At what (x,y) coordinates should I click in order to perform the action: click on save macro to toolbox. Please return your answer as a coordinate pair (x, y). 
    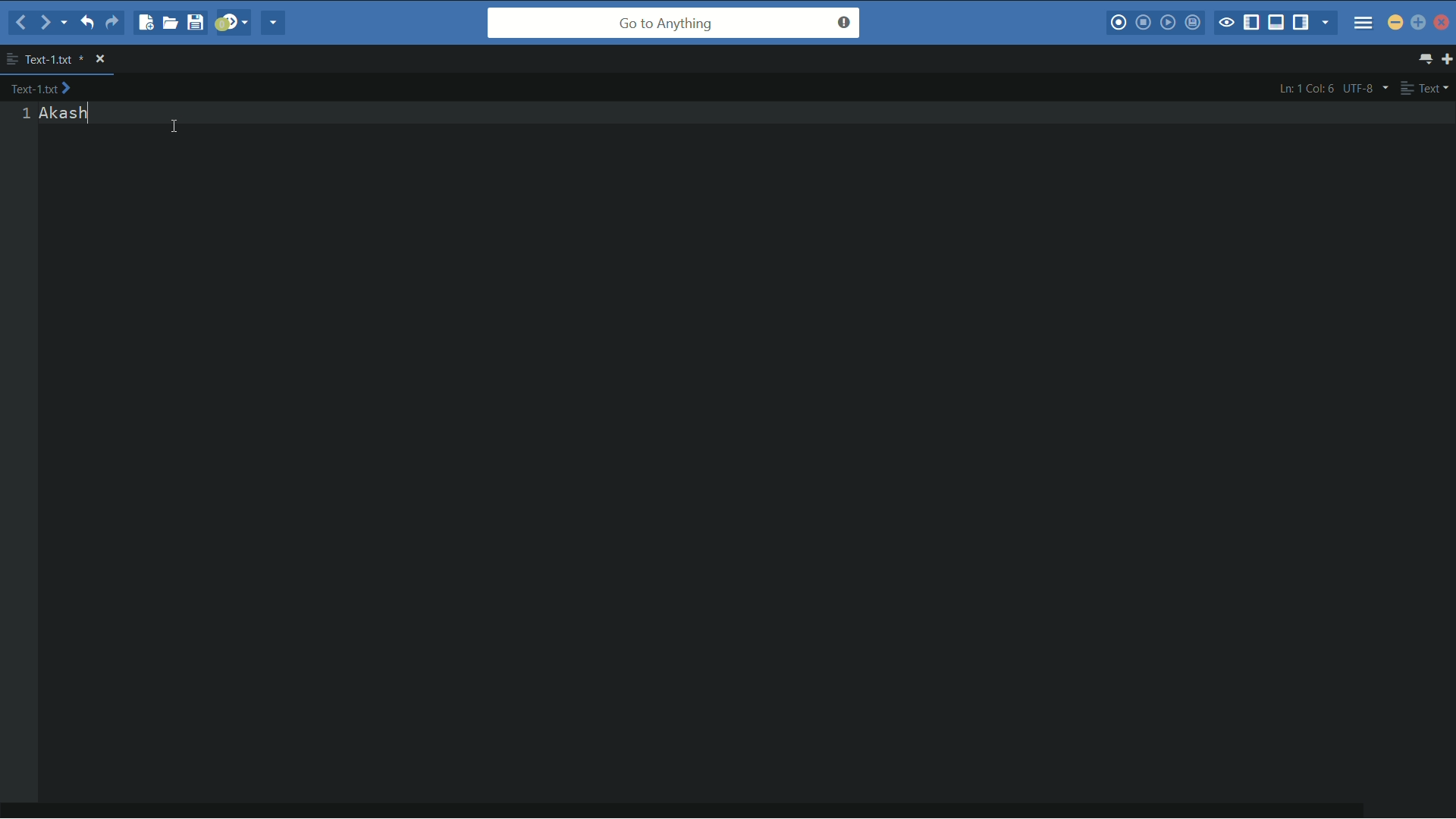
    Looking at the image, I should click on (1192, 20).